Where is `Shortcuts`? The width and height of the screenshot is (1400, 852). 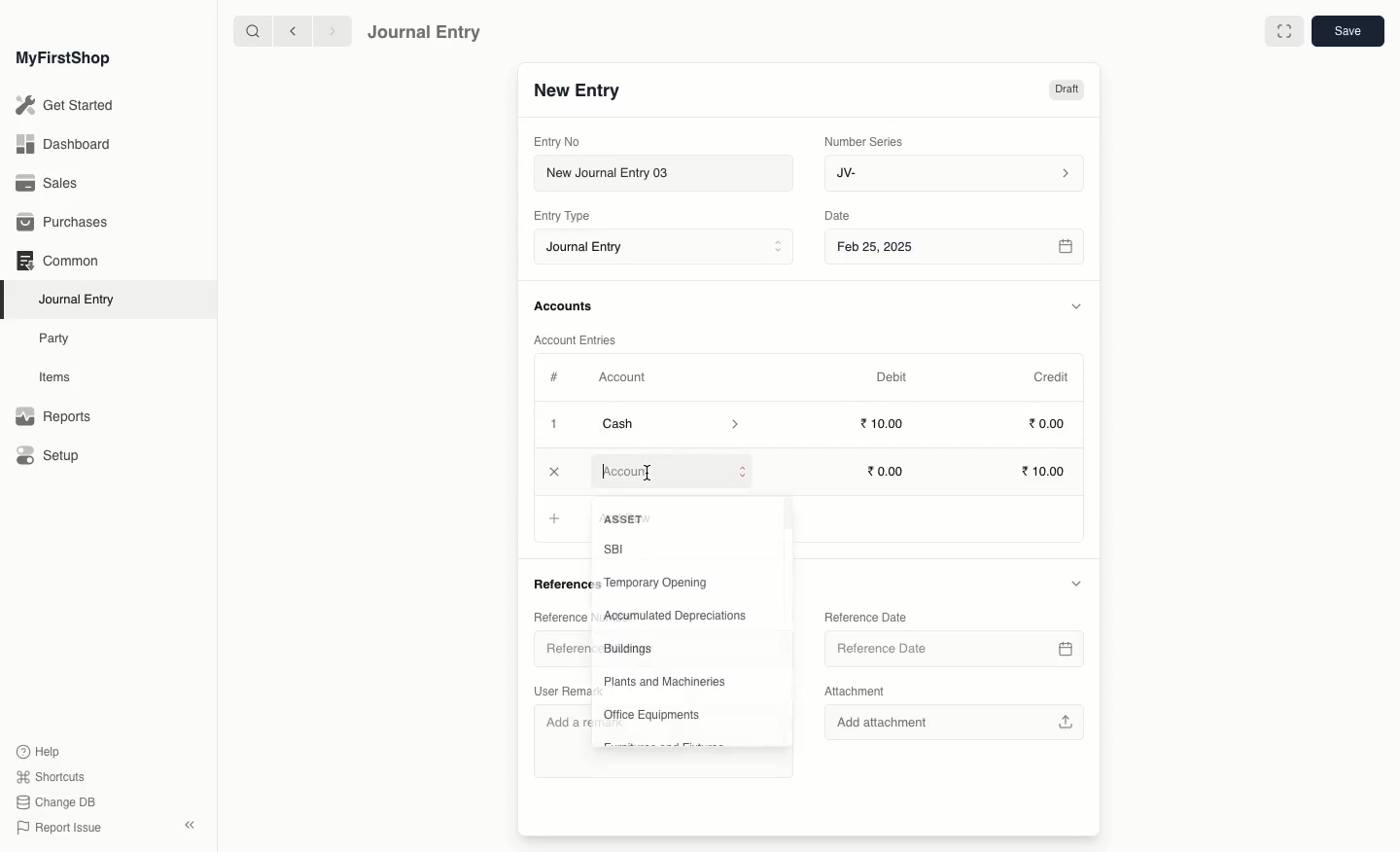 Shortcuts is located at coordinates (48, 775).